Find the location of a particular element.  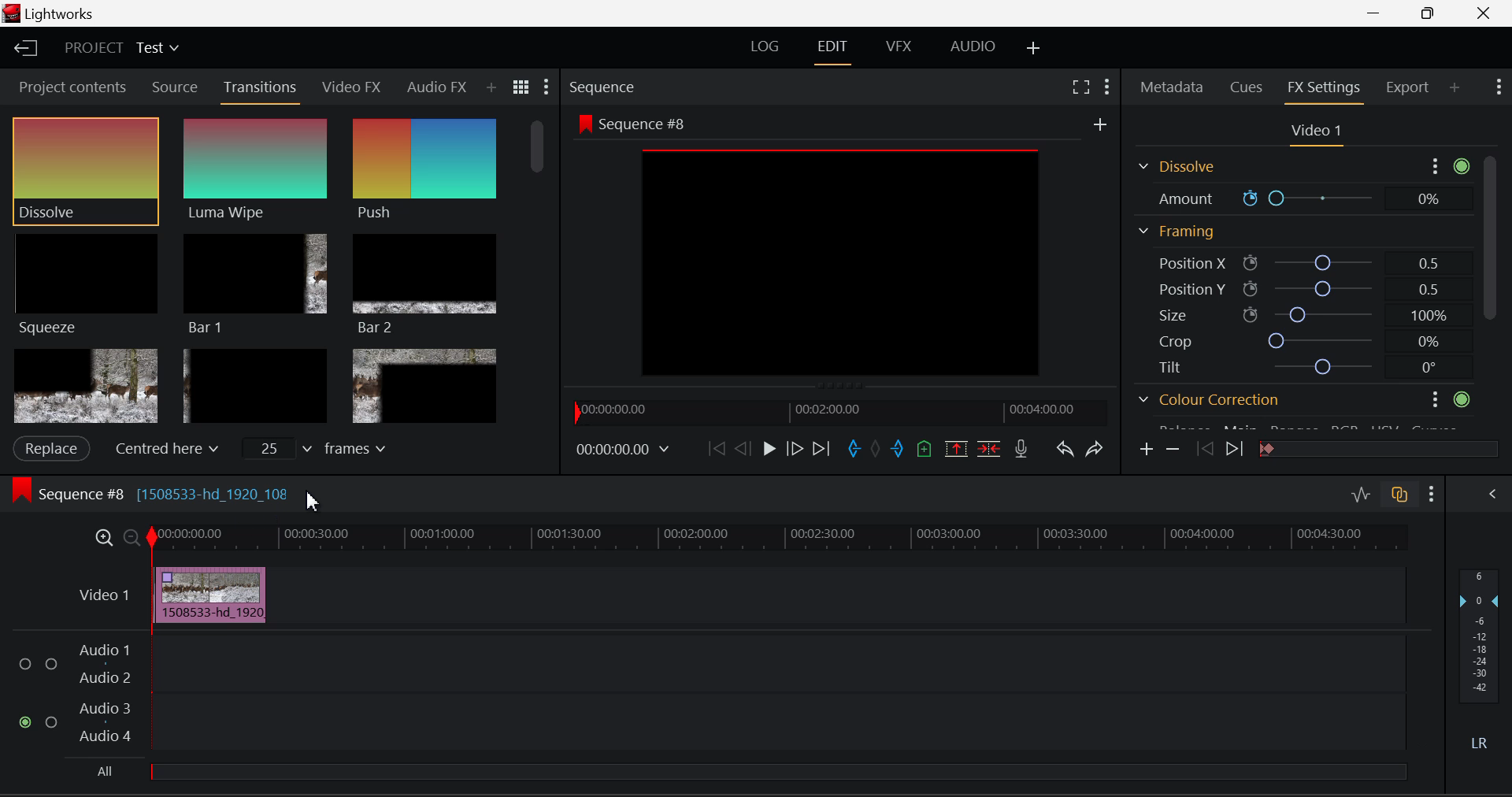

Remove keyframe is located at coordinates (1171, 451).